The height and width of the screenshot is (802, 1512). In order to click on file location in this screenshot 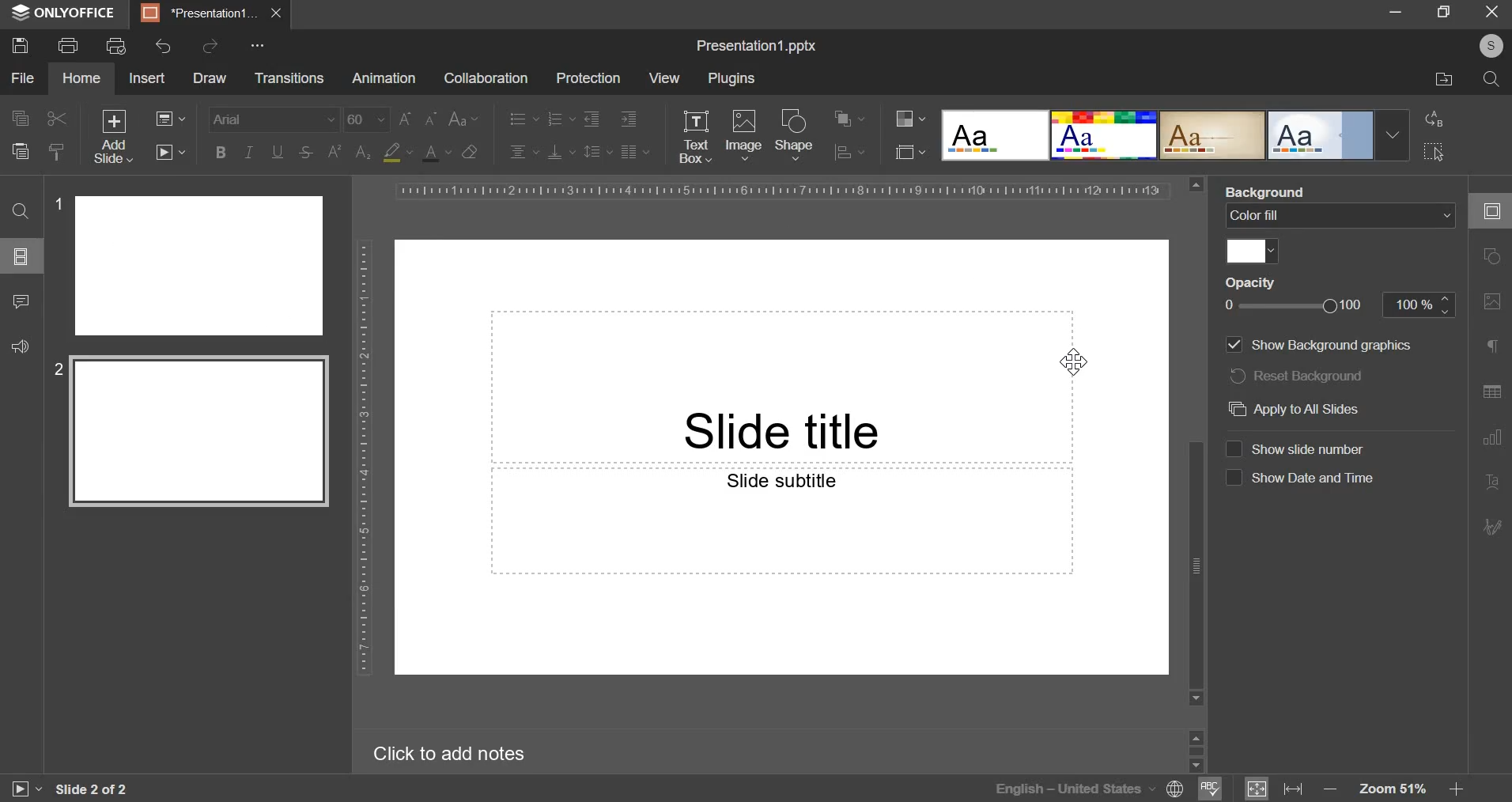, I will do `click(1445, 80)`.